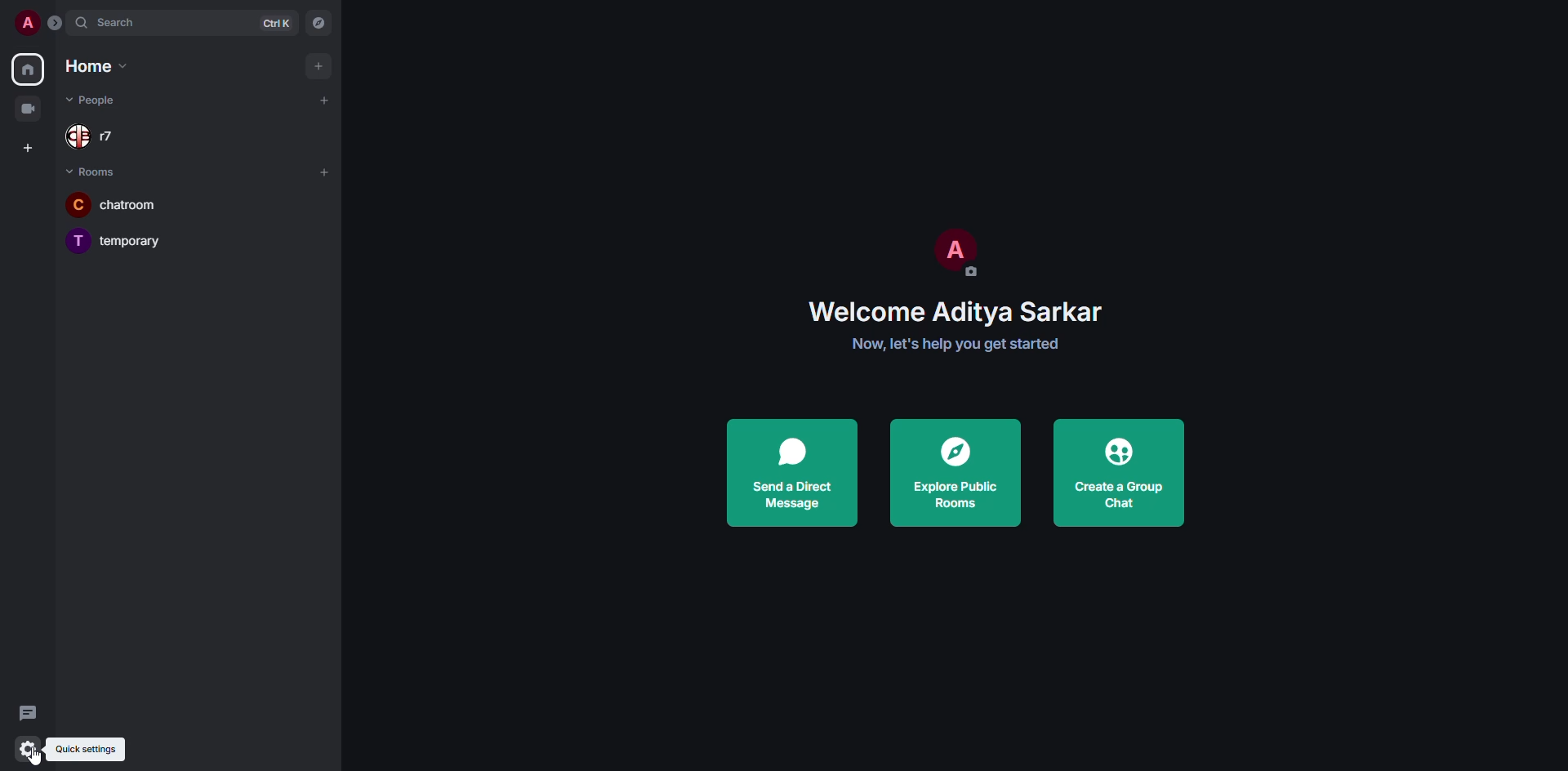 The width and height of the screenshot is (1568, 771). What do you see at coordinates (1115, 472) in the screenshot?
I see `create a group chat` at bounding box center [1115, 472].